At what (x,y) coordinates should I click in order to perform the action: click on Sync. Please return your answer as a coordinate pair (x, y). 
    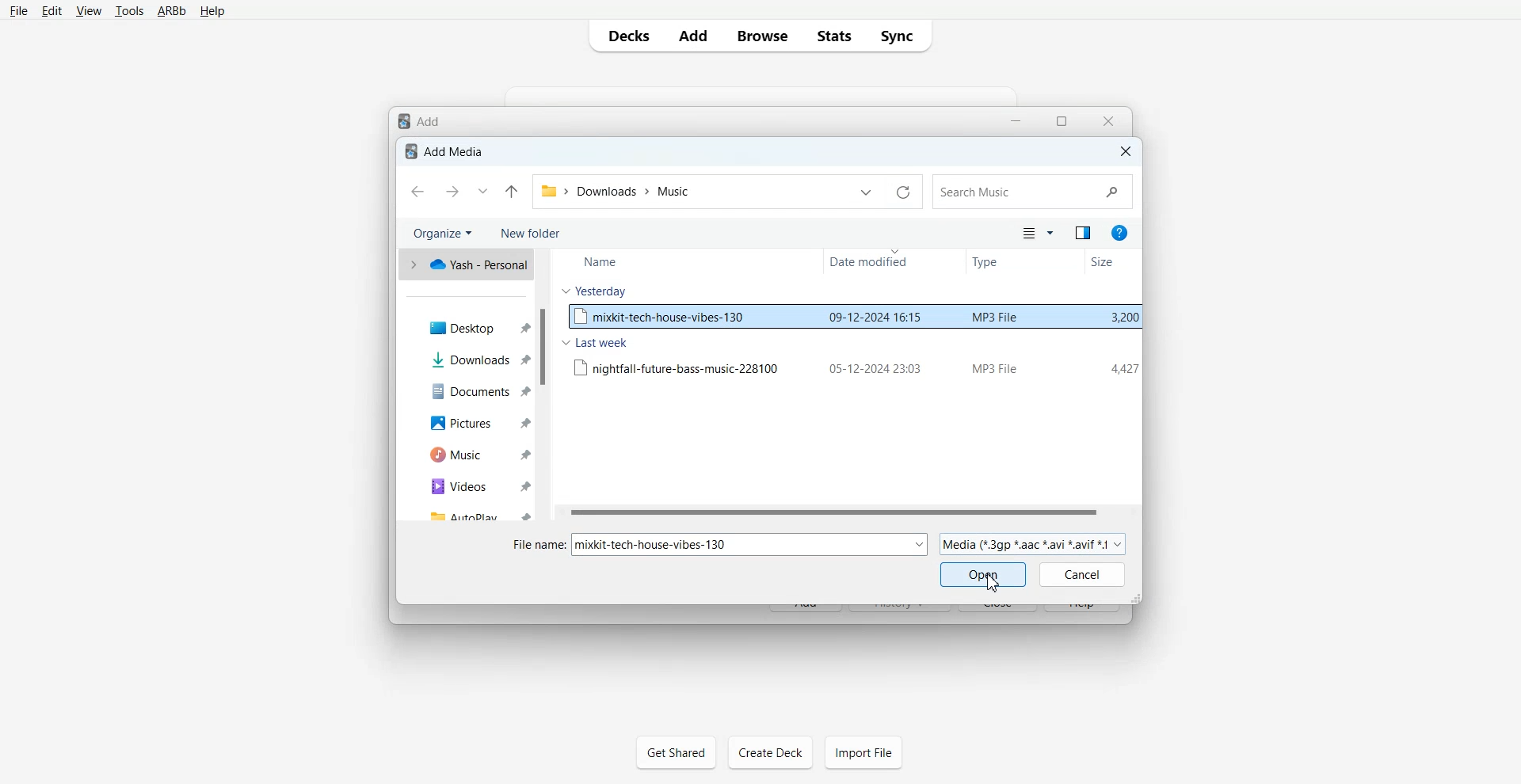
    Looking at the image, I should click on (901, 36).